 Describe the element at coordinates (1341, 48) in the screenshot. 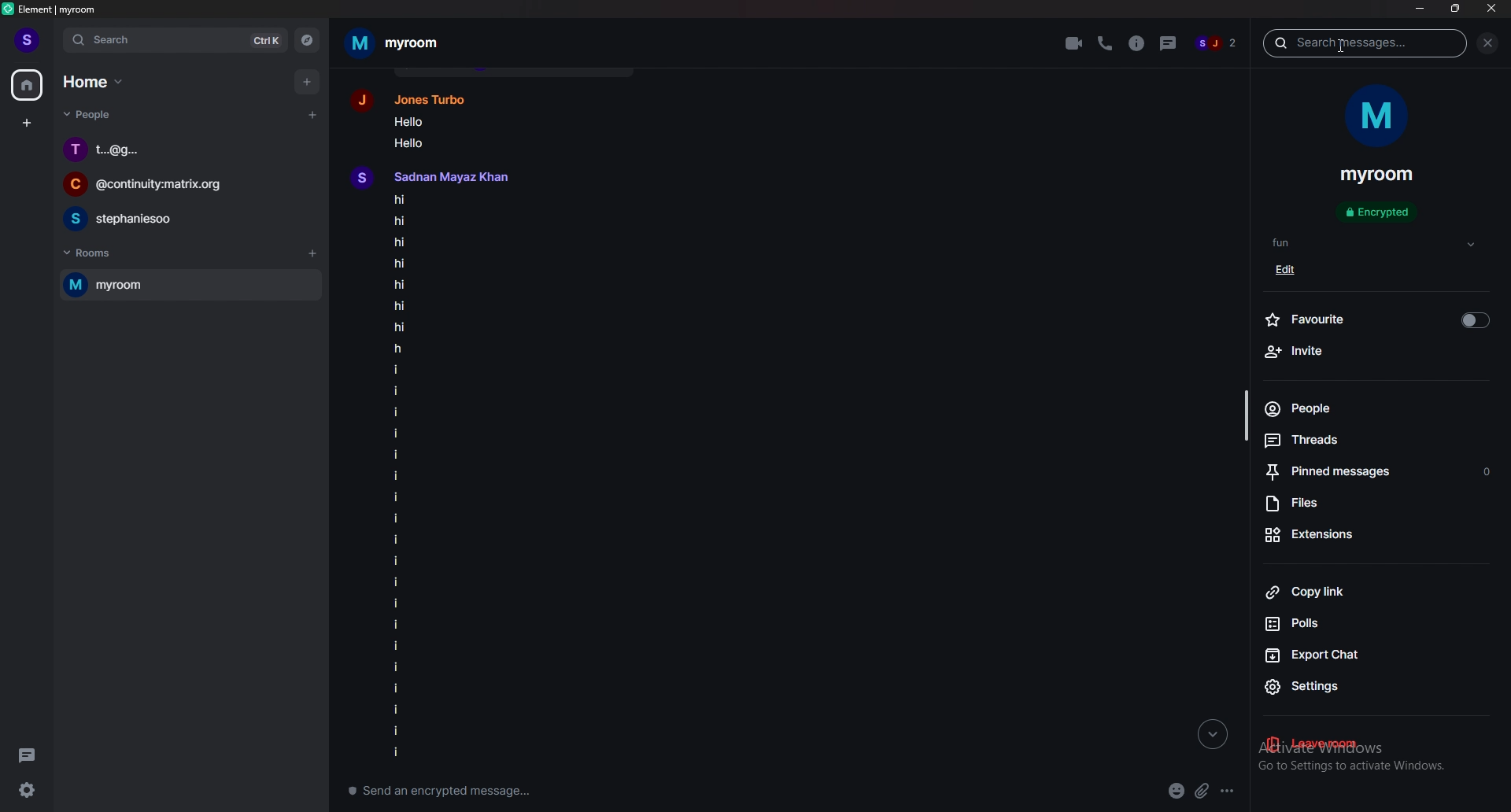

I see `cursor` at that location.